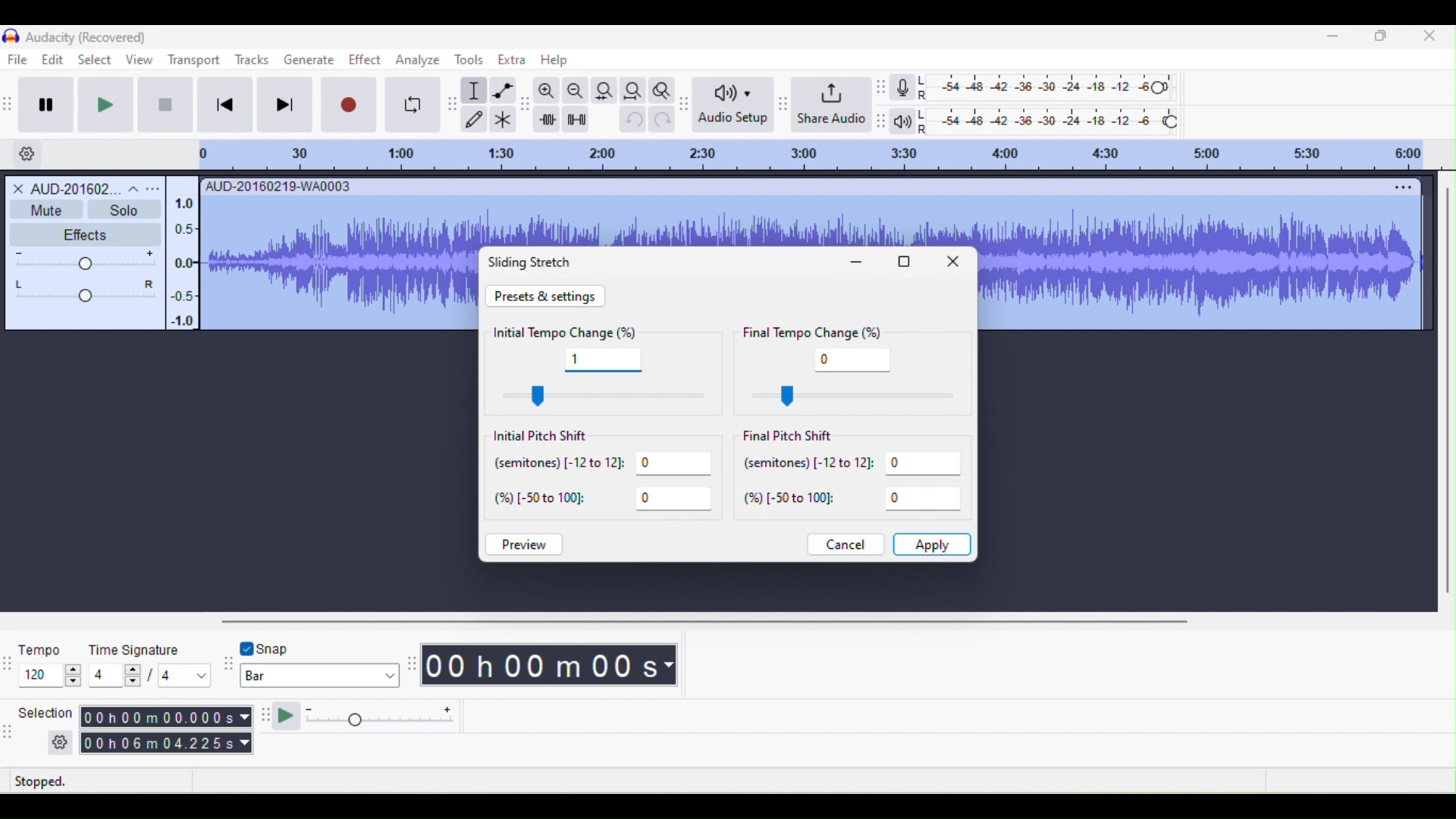  I want to click on silence audio selection, so click(576, 119).